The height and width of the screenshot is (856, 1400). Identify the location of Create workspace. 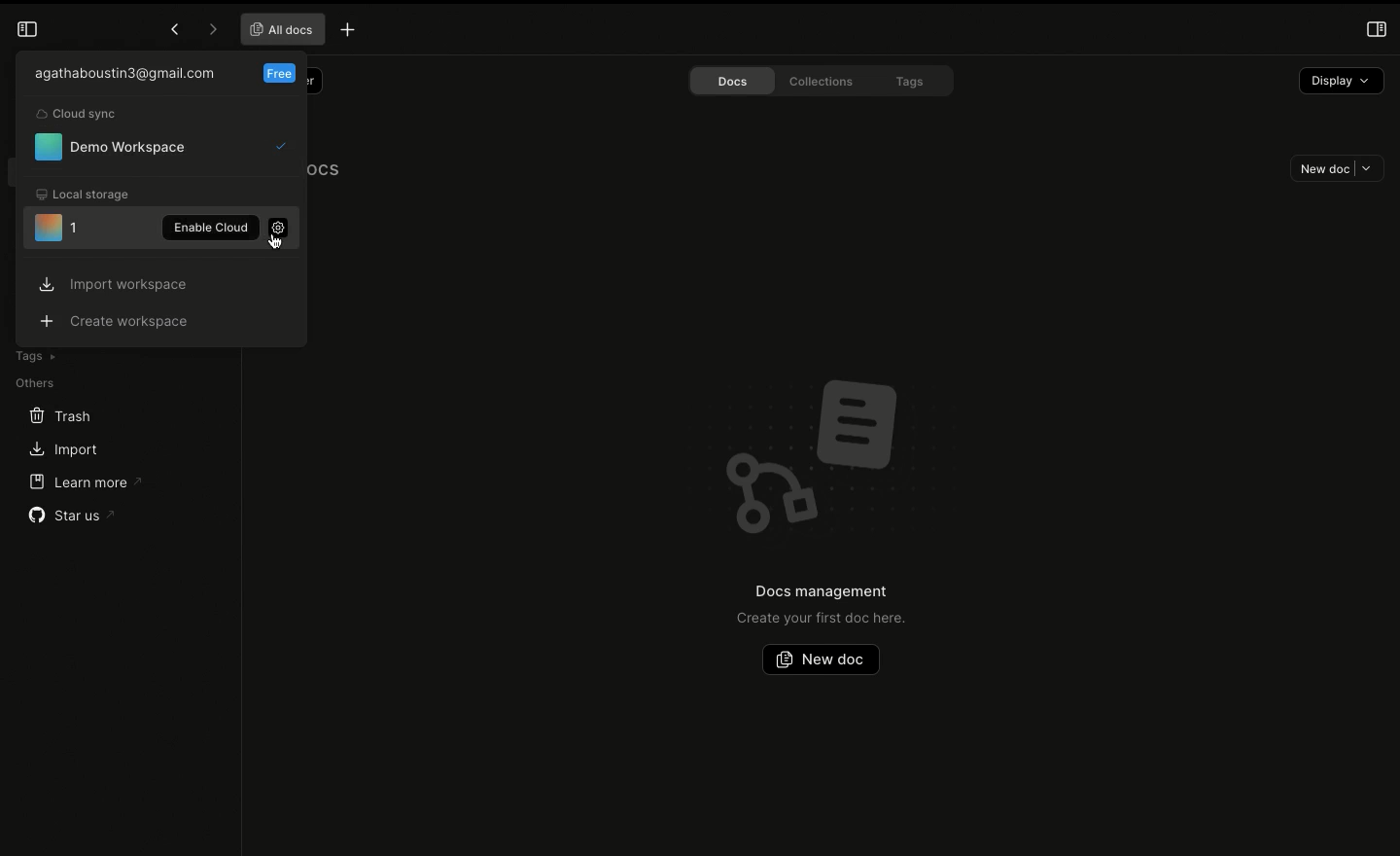
(121, 322).